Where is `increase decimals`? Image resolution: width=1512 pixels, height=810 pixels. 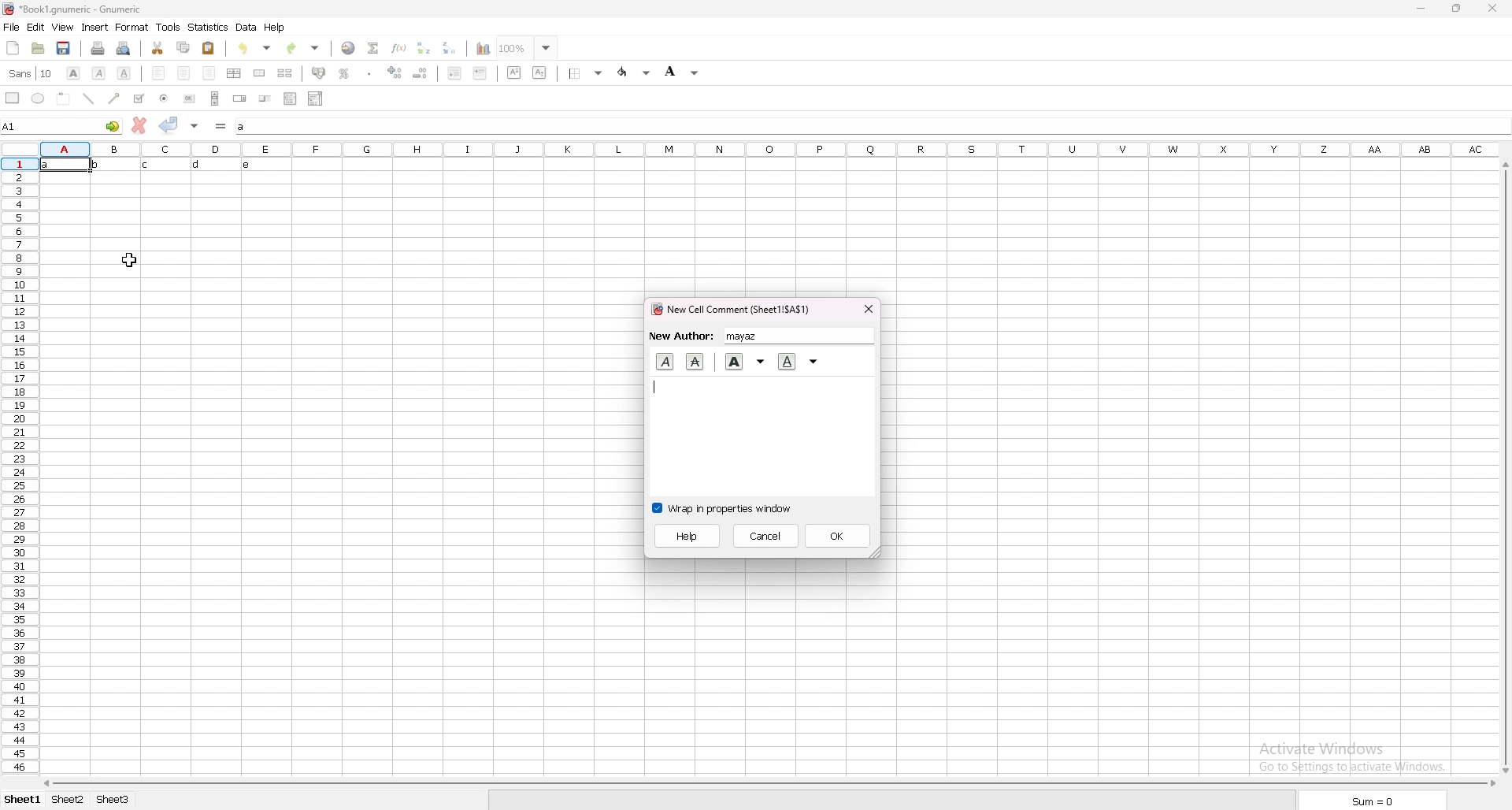 increase decimals is located at coordinates (395, 72).